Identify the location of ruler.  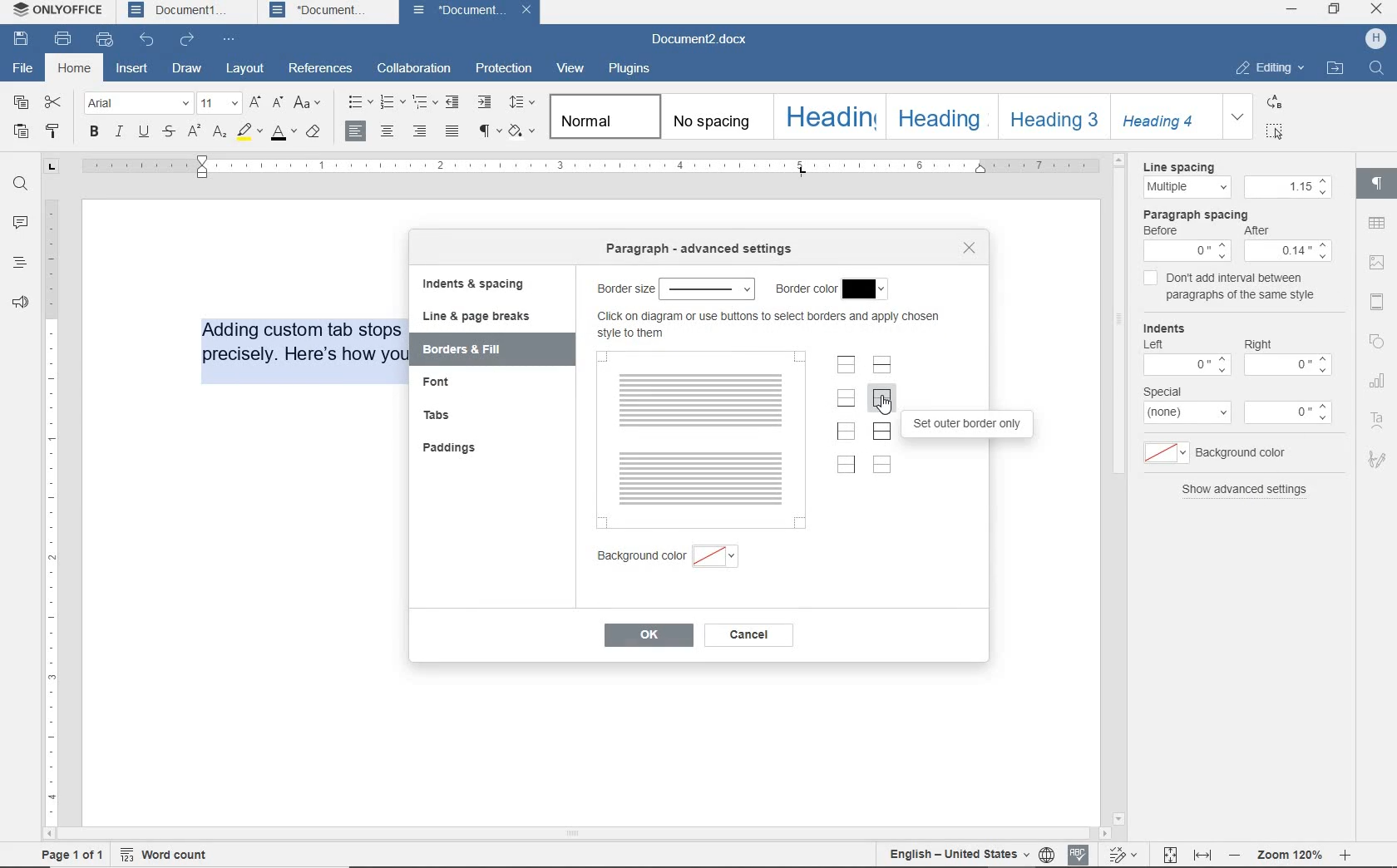
(615, 163).